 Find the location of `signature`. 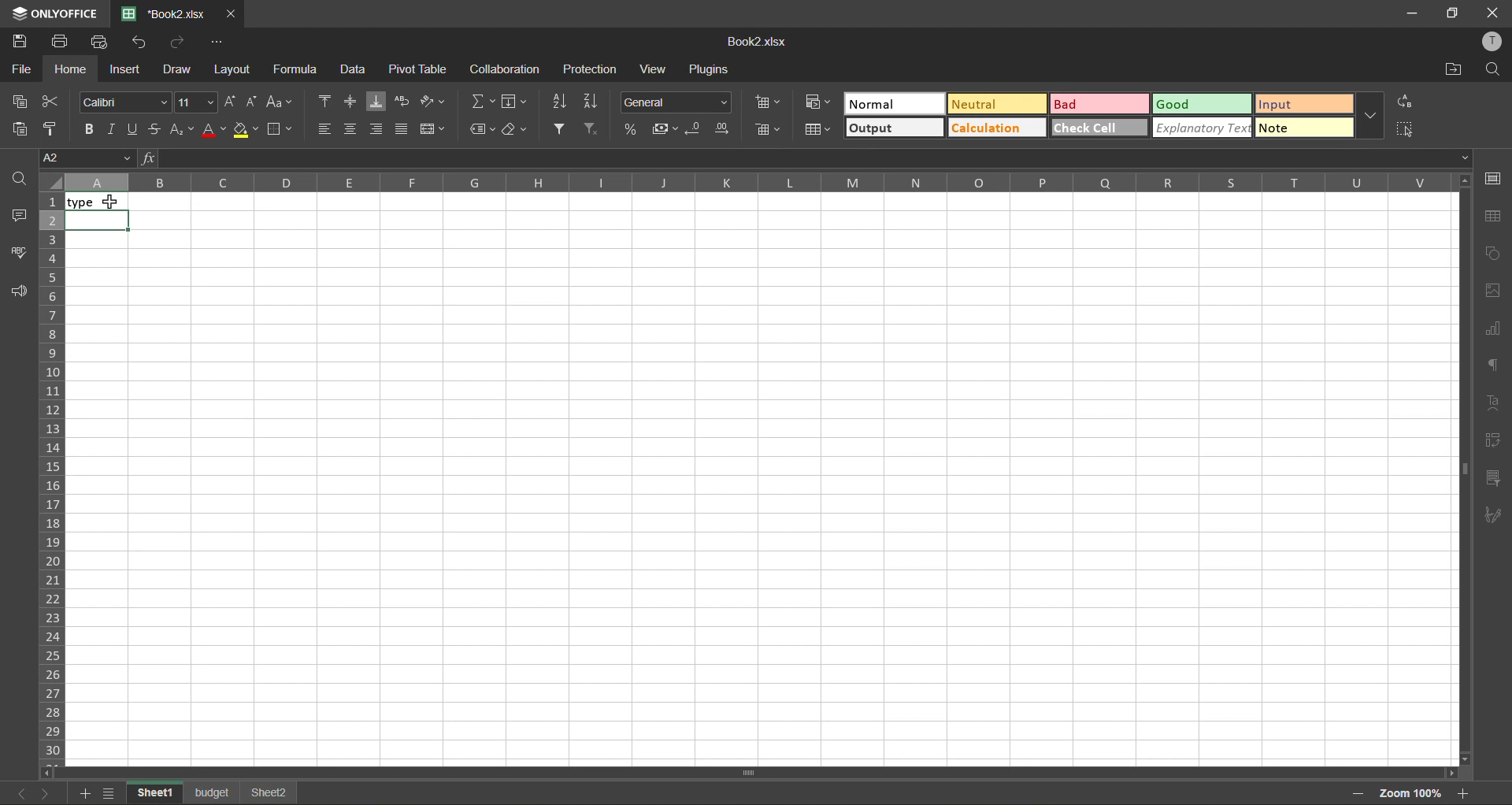

signature is located at coordinates (1495, 518).